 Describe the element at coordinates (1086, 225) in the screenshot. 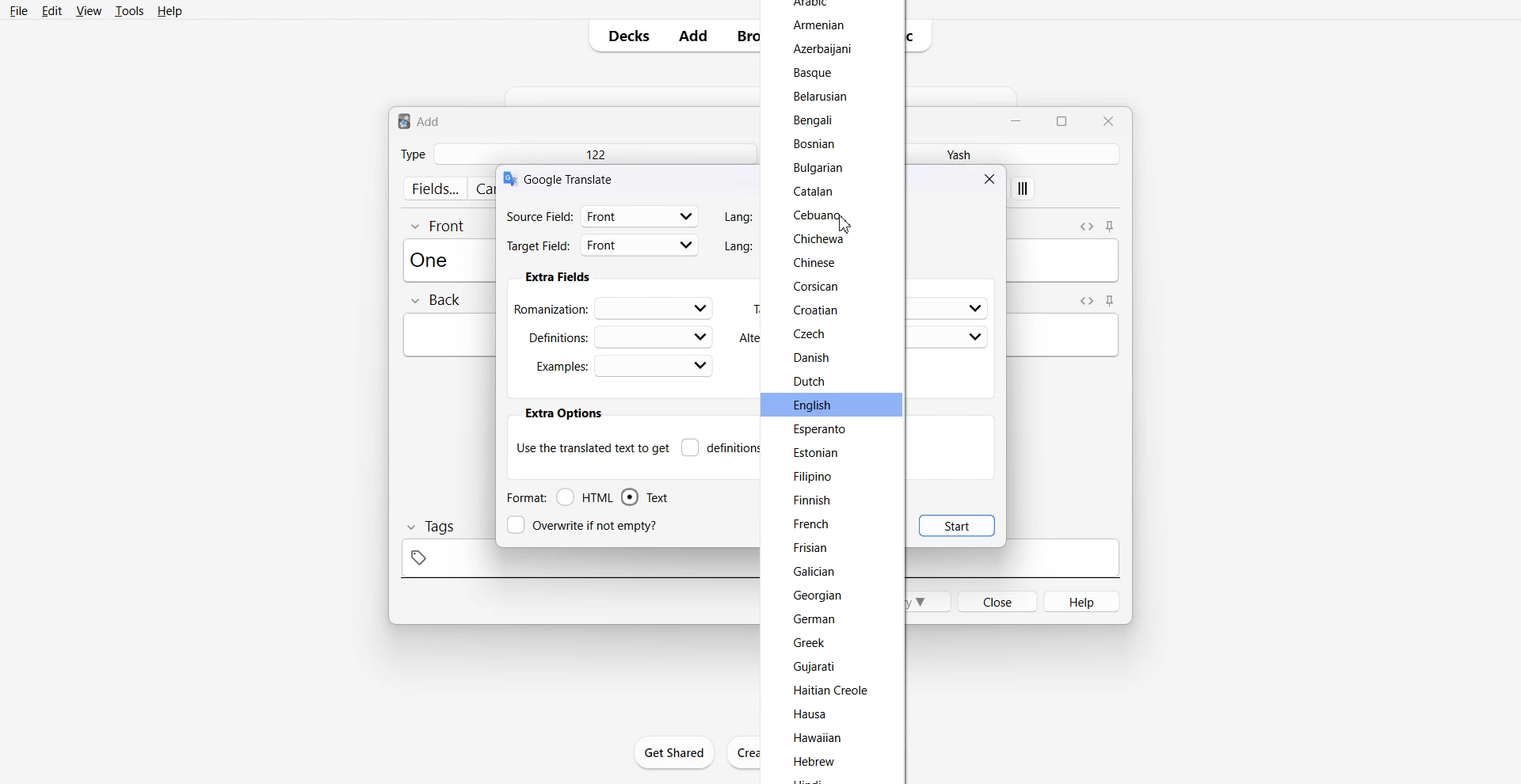

I see `Toggle HTML Editor` at that location.